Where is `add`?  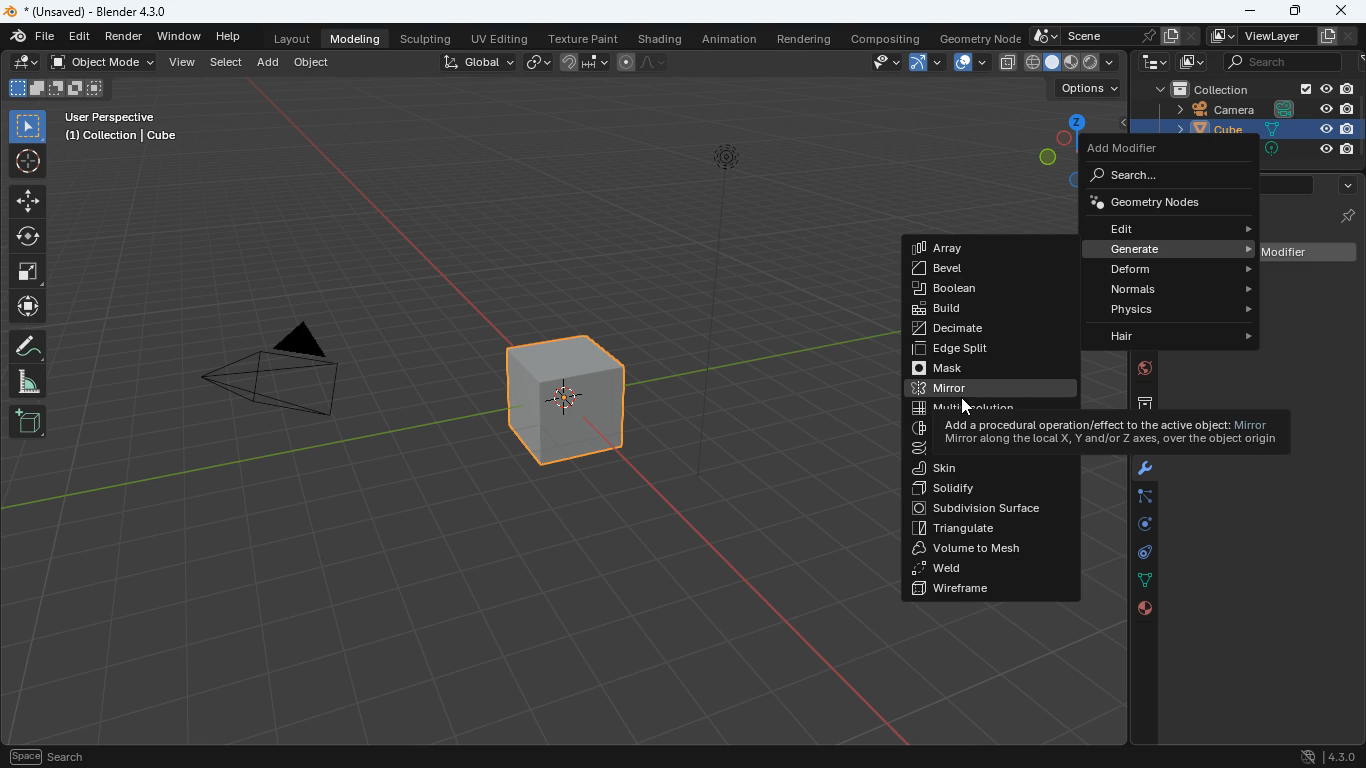 add is located at coordinates (269, 64).